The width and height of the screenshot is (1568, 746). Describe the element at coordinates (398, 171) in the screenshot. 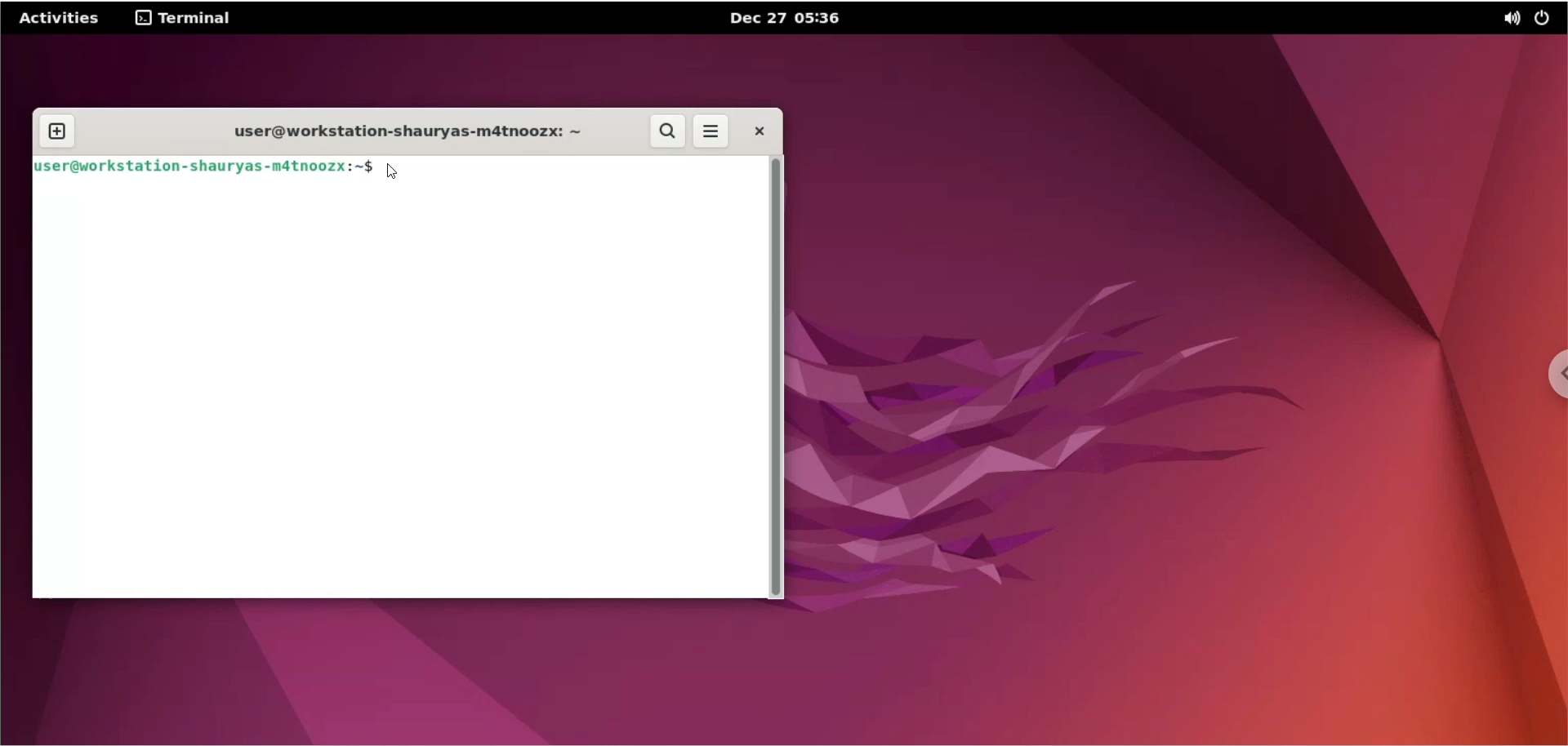

I see `cursor` at that location.